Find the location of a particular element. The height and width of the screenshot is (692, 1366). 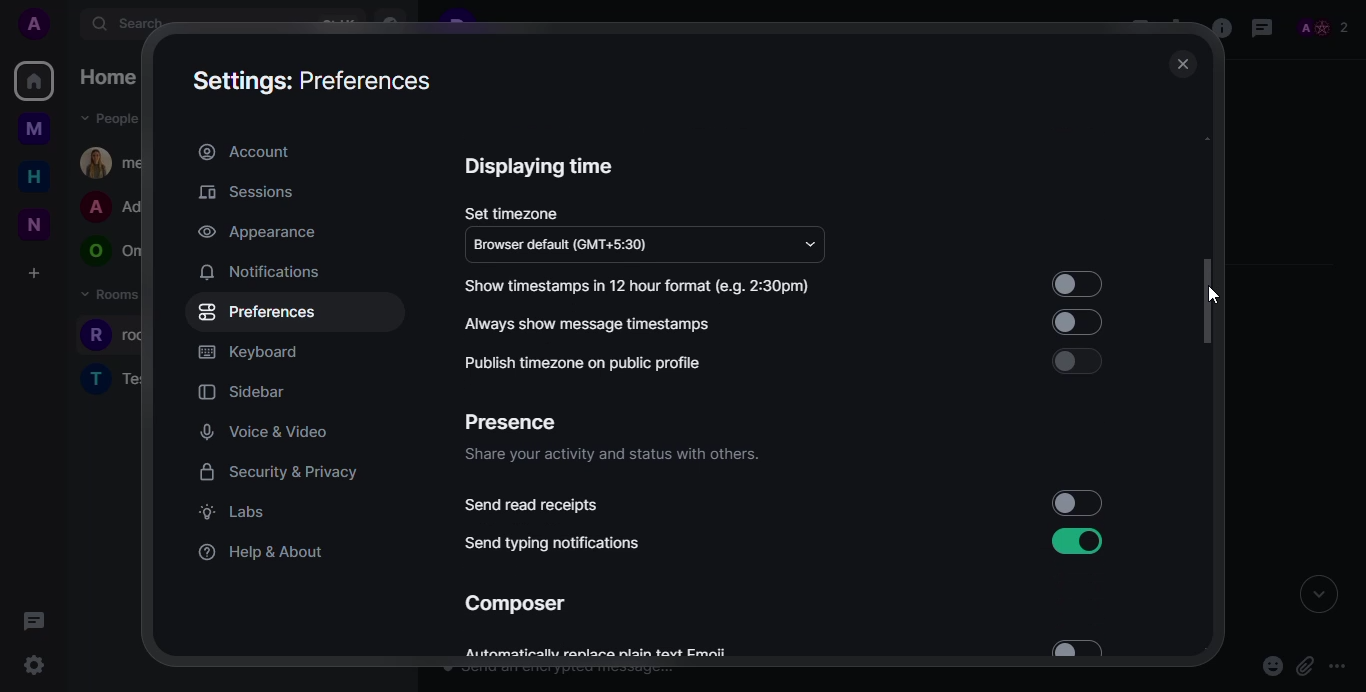

new is located at coordinates (30, 222).